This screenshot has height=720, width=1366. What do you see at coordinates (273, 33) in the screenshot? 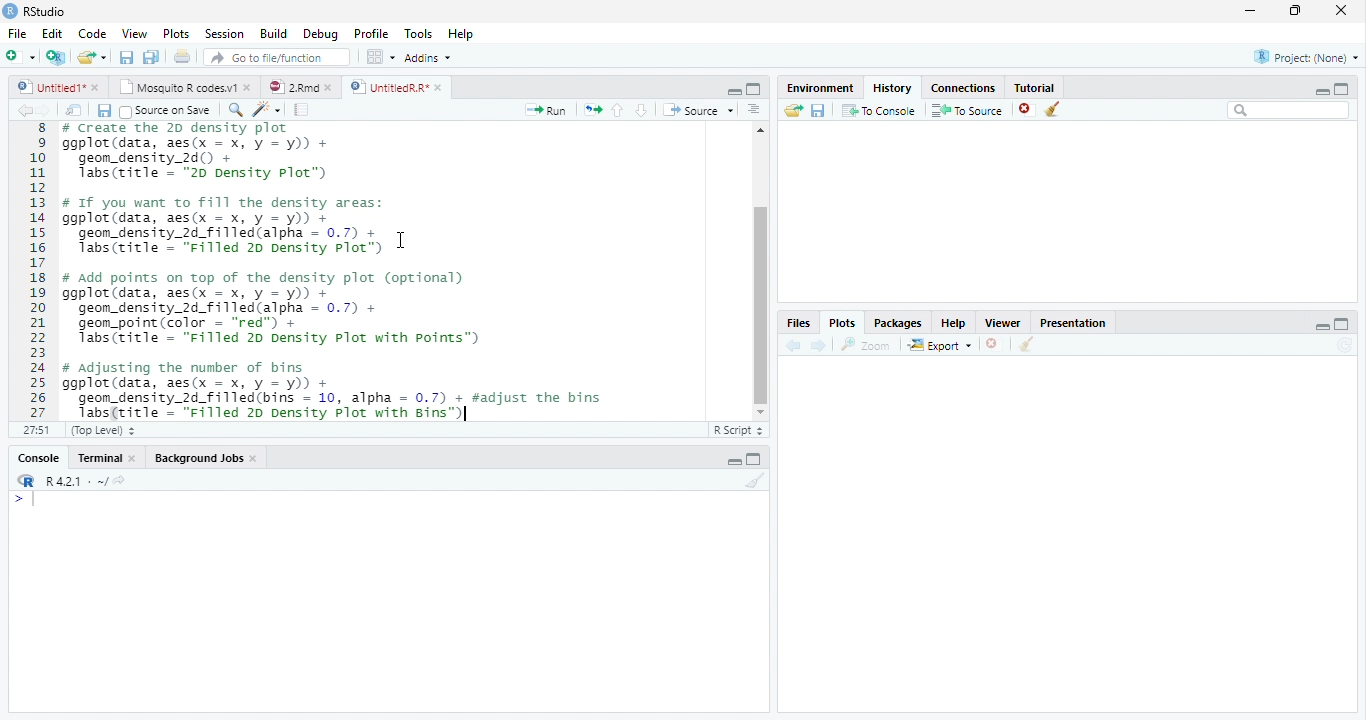
I see `Build` at bounding box center [273, 33].